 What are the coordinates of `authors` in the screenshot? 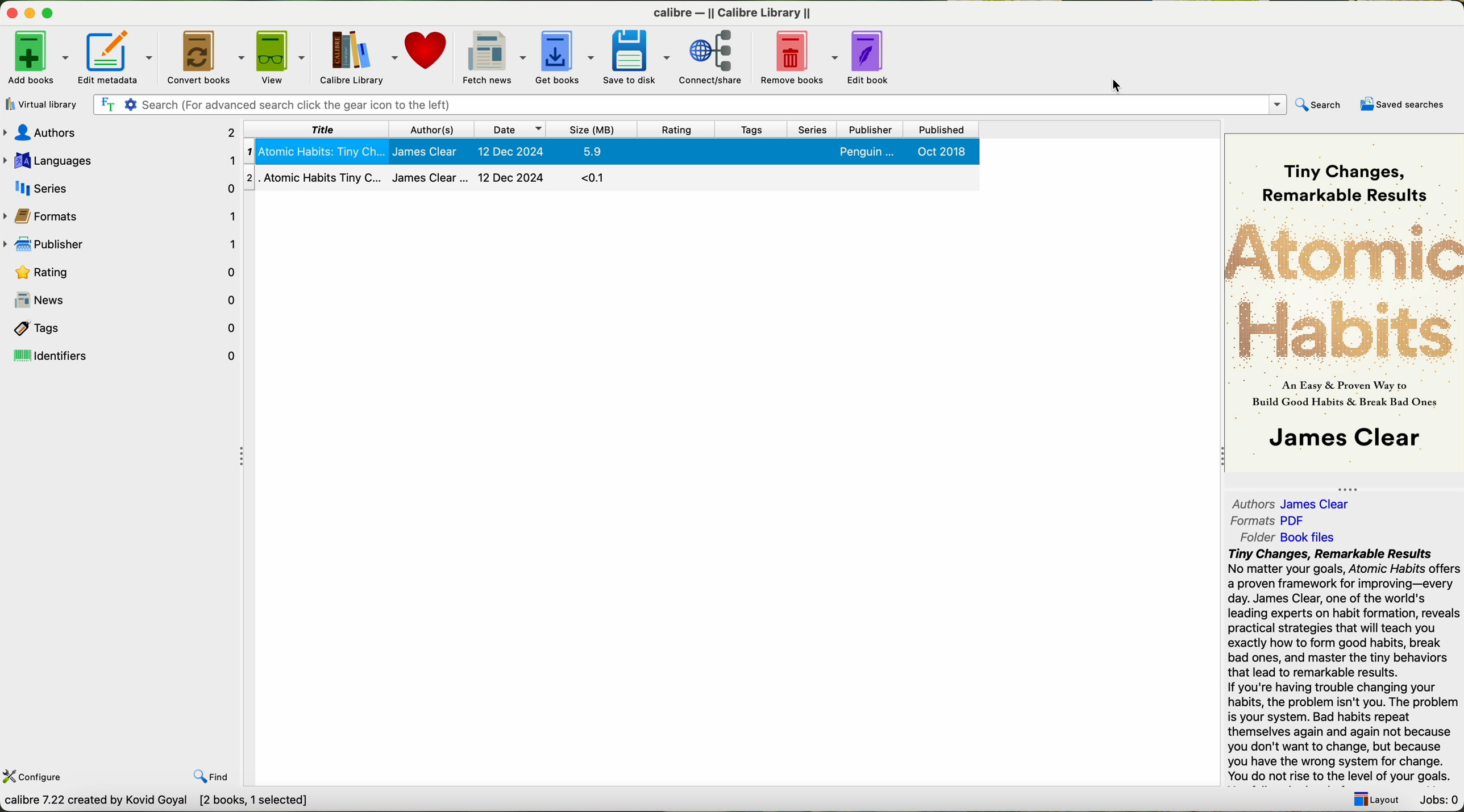 It's located at (121, 133).